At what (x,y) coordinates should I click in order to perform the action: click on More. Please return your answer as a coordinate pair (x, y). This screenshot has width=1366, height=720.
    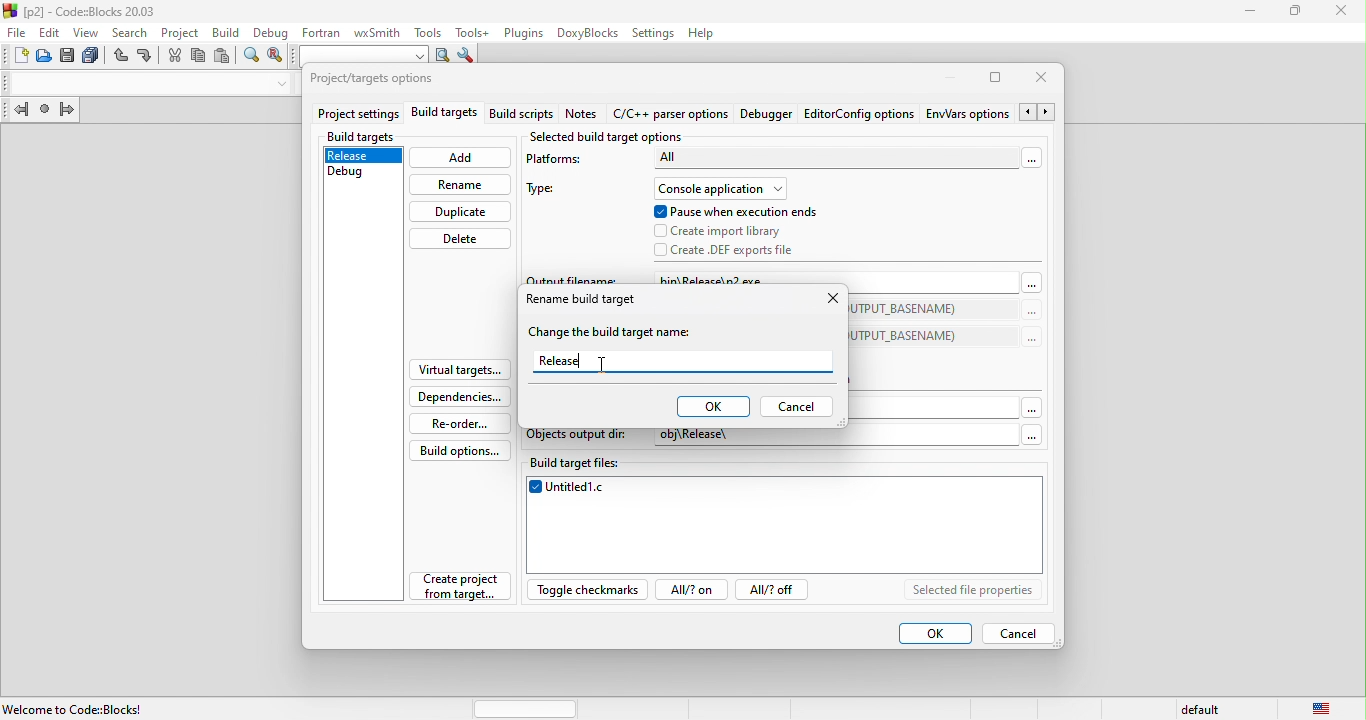
    Looking at the image, I should click on (1031, 406).